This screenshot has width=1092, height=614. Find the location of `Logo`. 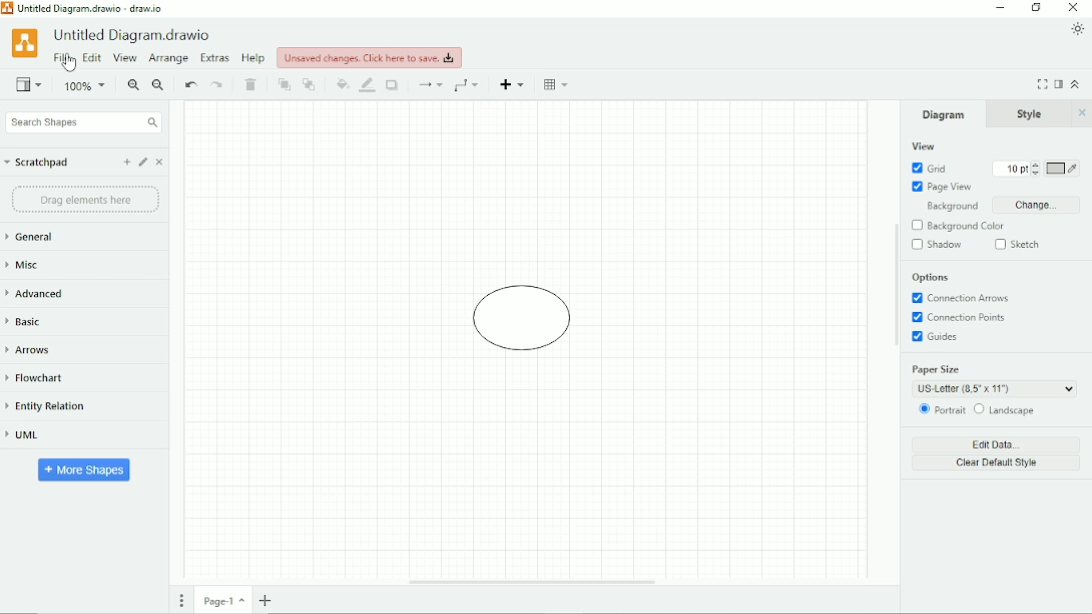

Logo is located at coordinates (25, 44).